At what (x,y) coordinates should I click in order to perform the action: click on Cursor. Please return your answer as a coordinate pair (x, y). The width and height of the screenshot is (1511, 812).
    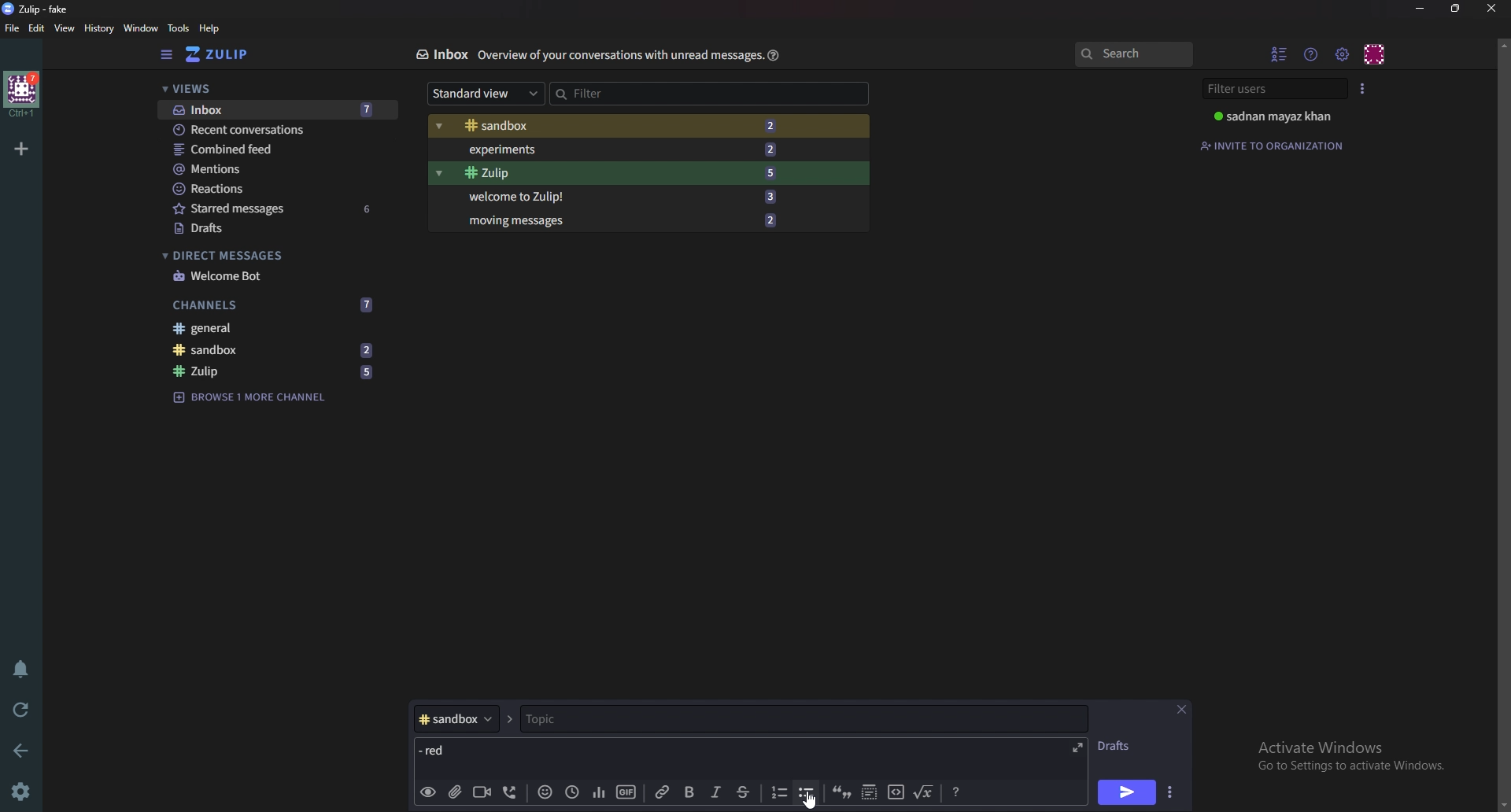
    Looking at the image, I should click on (814, 799).